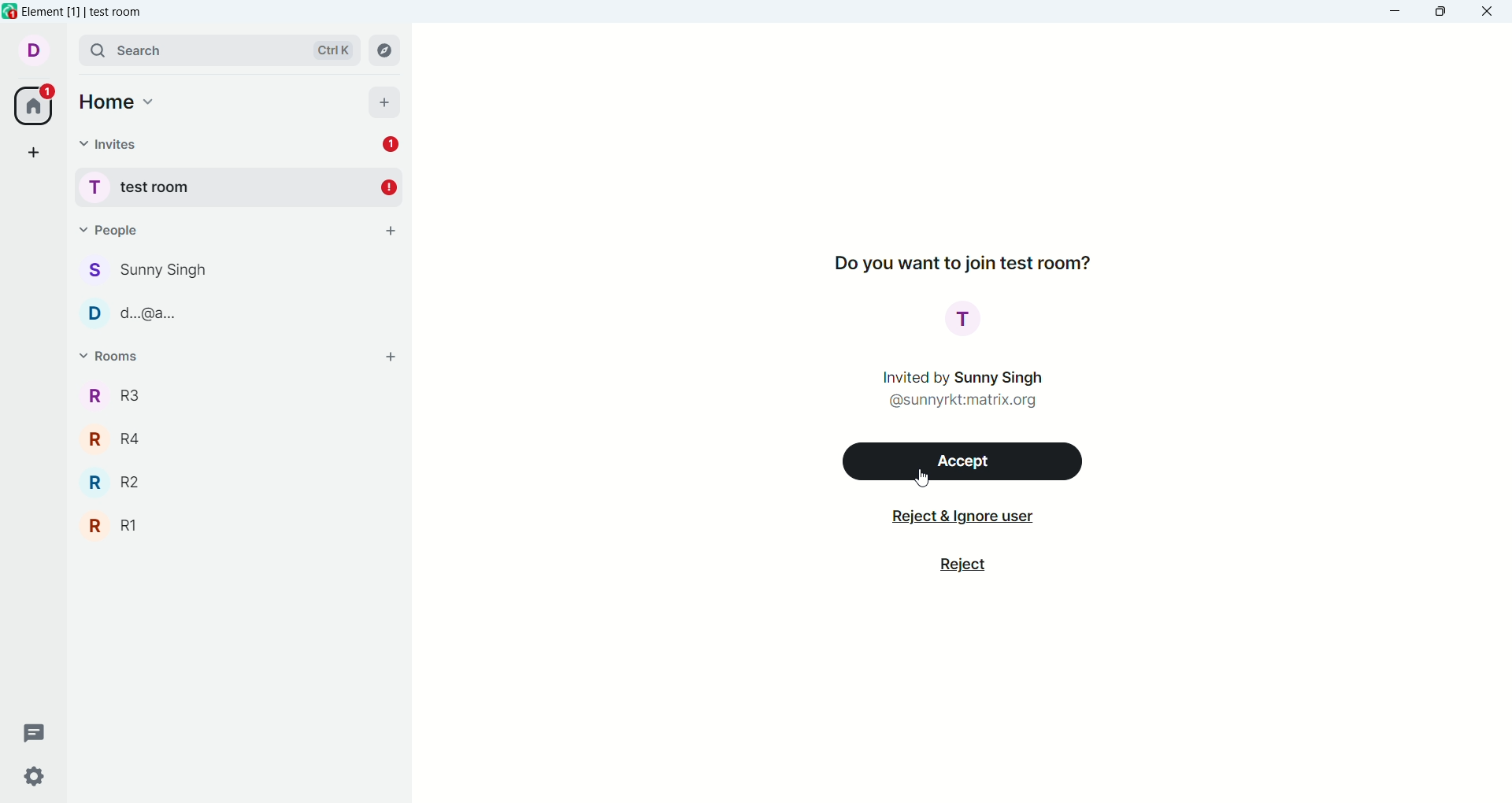 The height and width of the screenshot is (803, 1512). What do you see at coordinates (1492, 14) in the screenshot?
I see `close` at bounding box center [1492, 14].